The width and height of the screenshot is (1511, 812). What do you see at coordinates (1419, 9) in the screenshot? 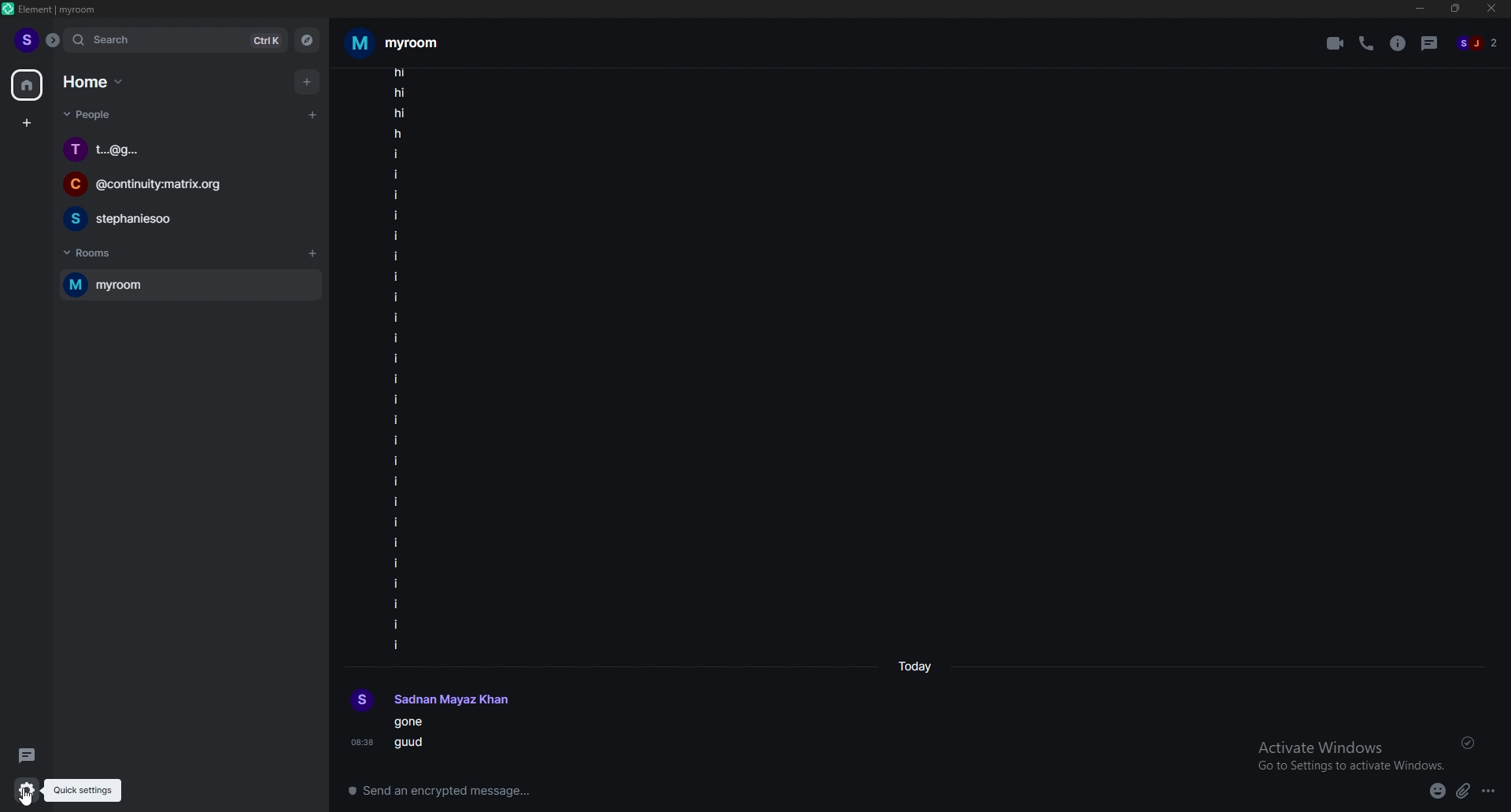
I see `minimize` at bounding box center [1419, 9].